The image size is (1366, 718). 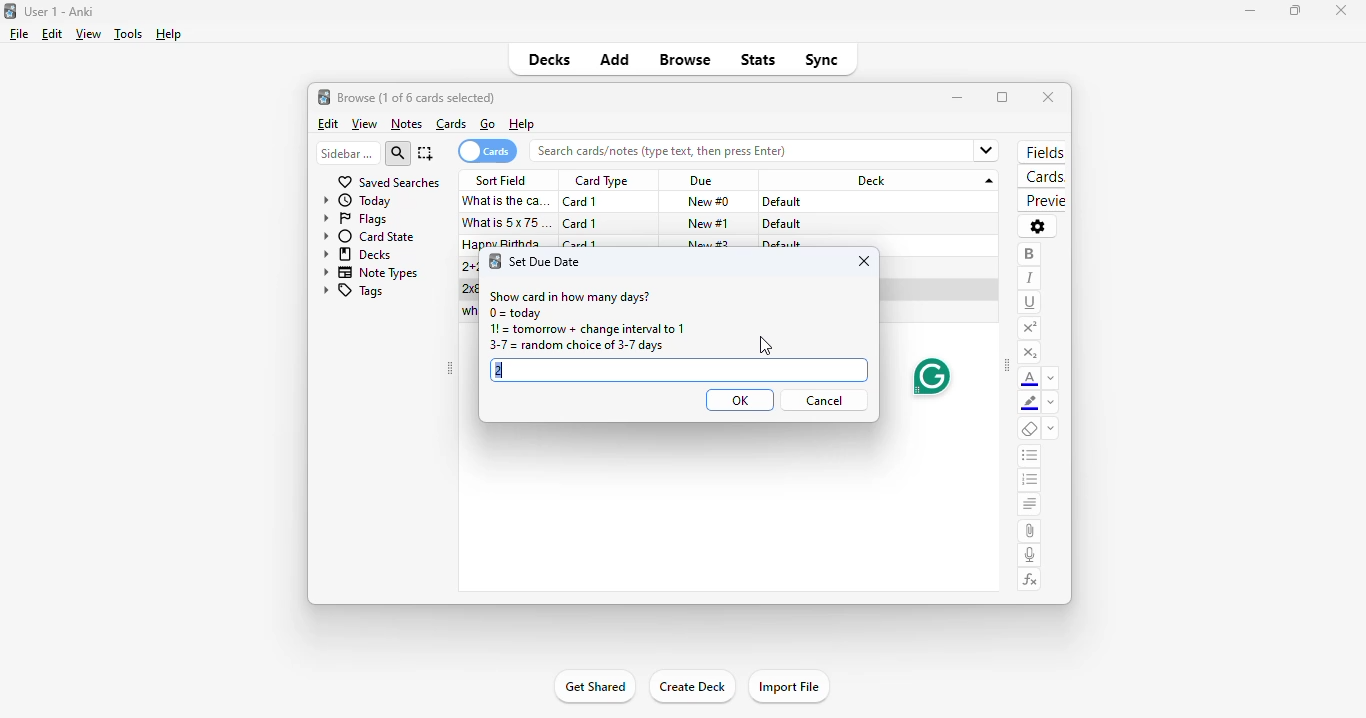 I want to click on maximize, so click(x=1294, y=12).